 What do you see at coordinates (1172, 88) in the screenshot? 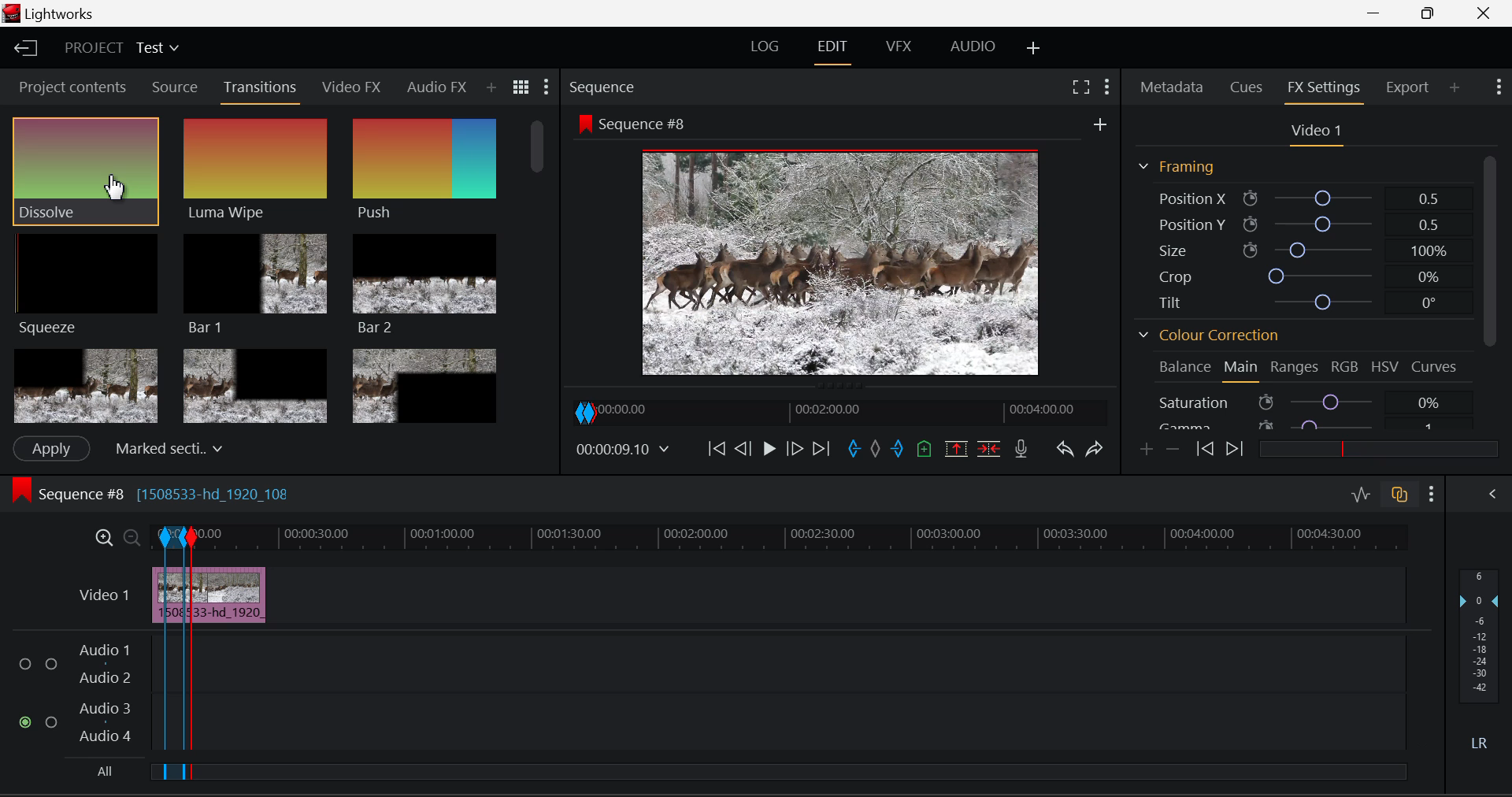
I see `Metadata` at bounding box center [1172, 88].